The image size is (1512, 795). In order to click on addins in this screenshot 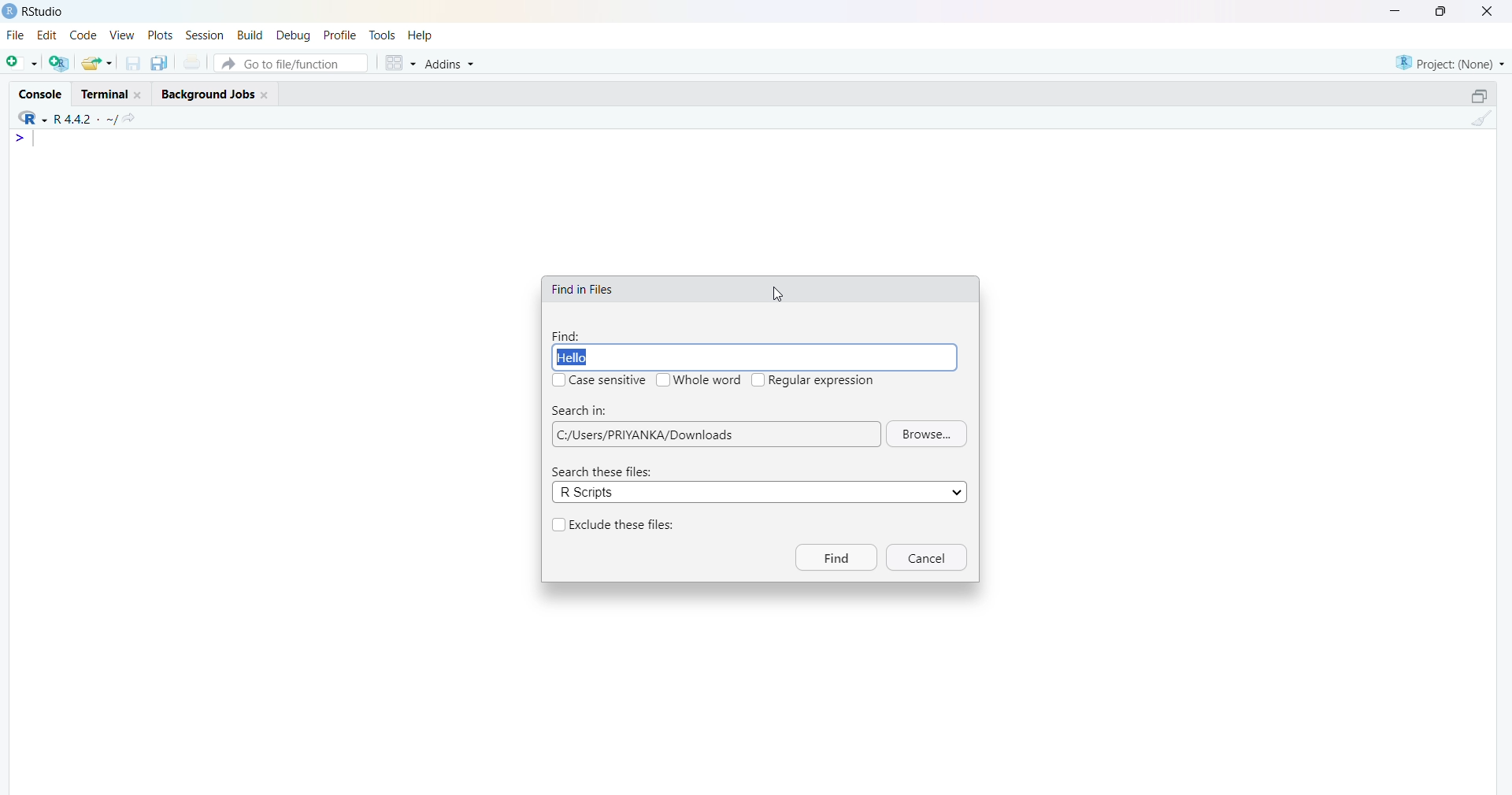, I will do `click(451, 65)`.